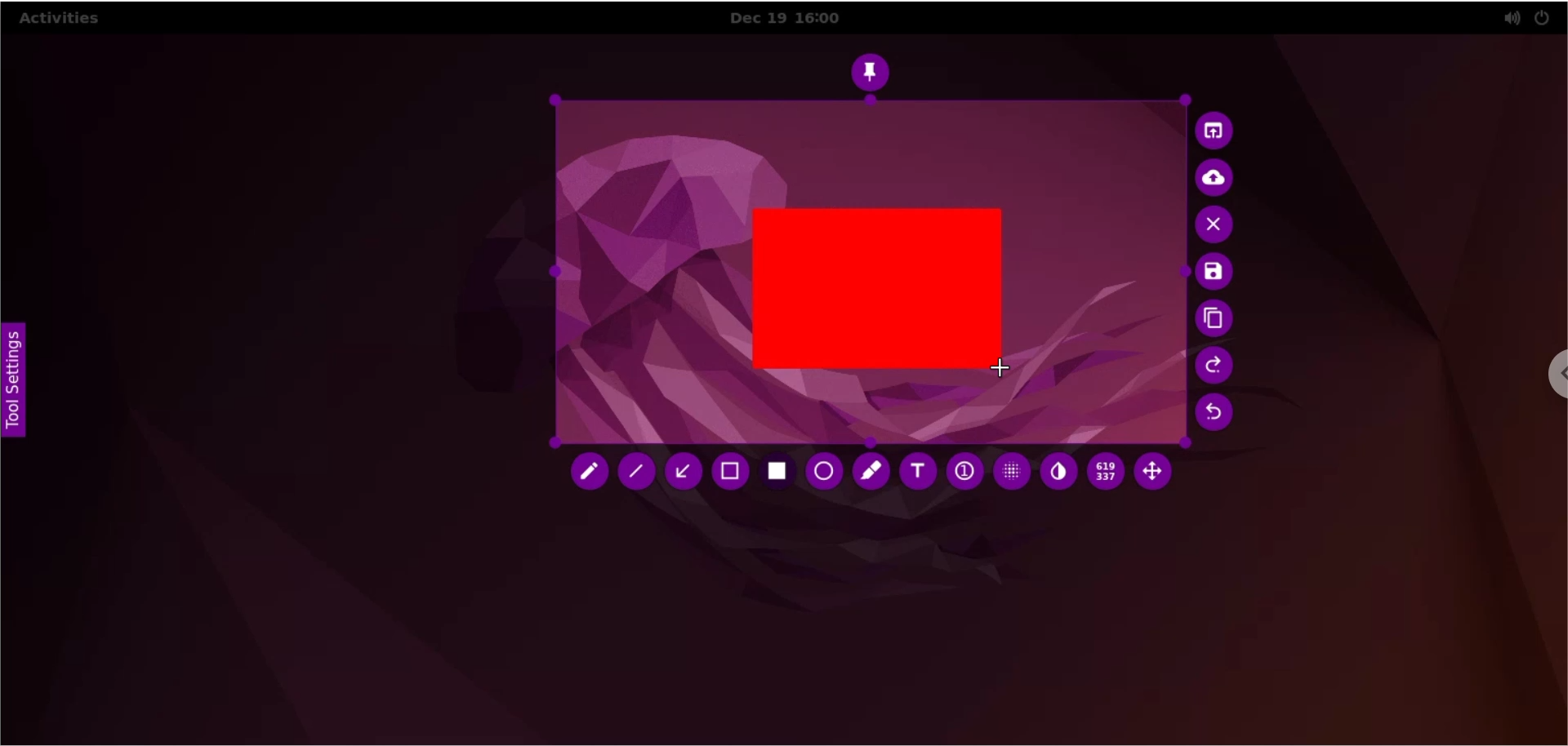 The width and height of the screenshot is (1568, 746). Describe the element at coordinates (871, 473) in the screenshot. I see `marker tool` at that location.